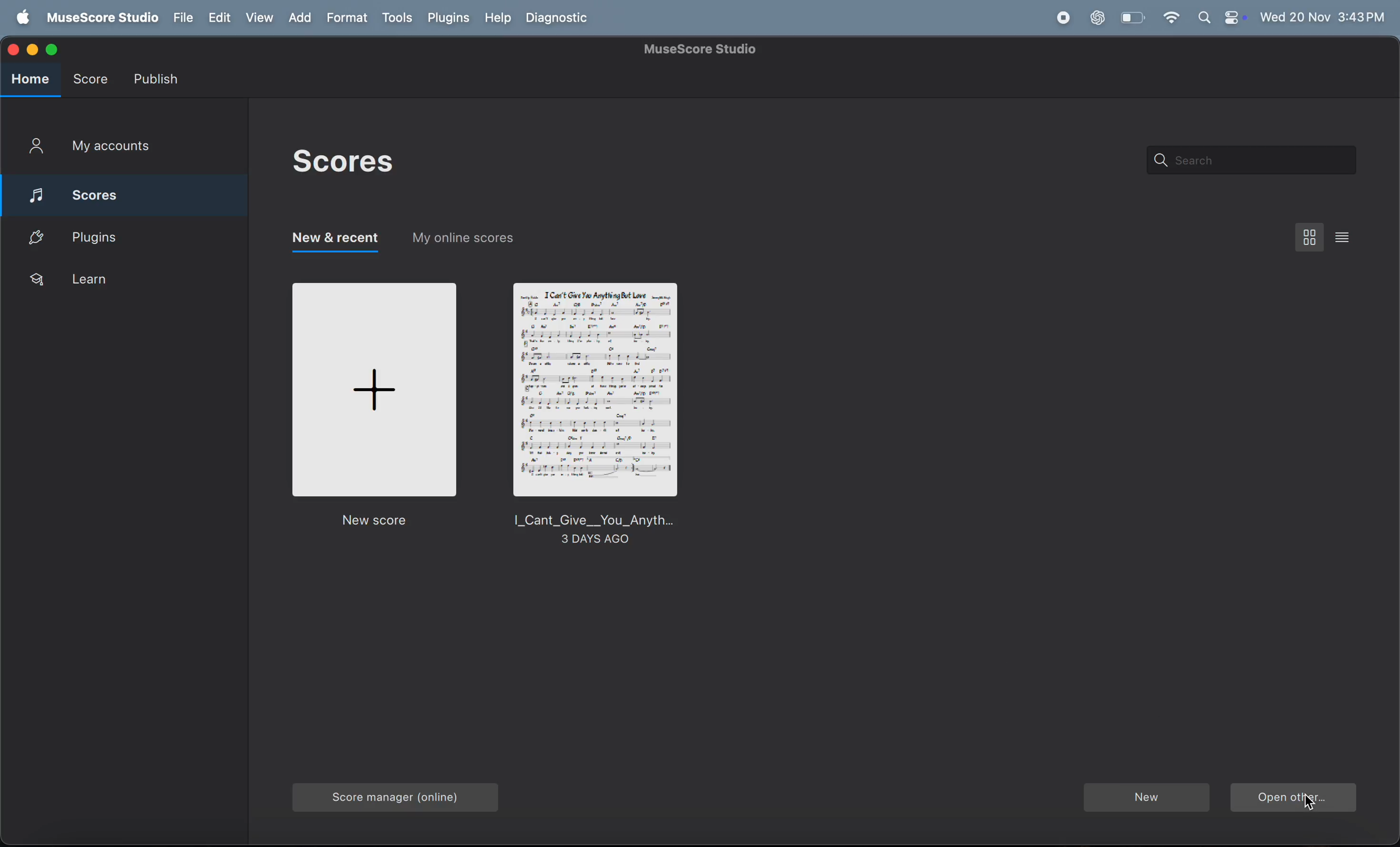 The width and height of the screenshot is (1400, 847). What do you see at coordinates (218, 16) in the screenshot?
I see `edit` at bounding box center [218, 16].